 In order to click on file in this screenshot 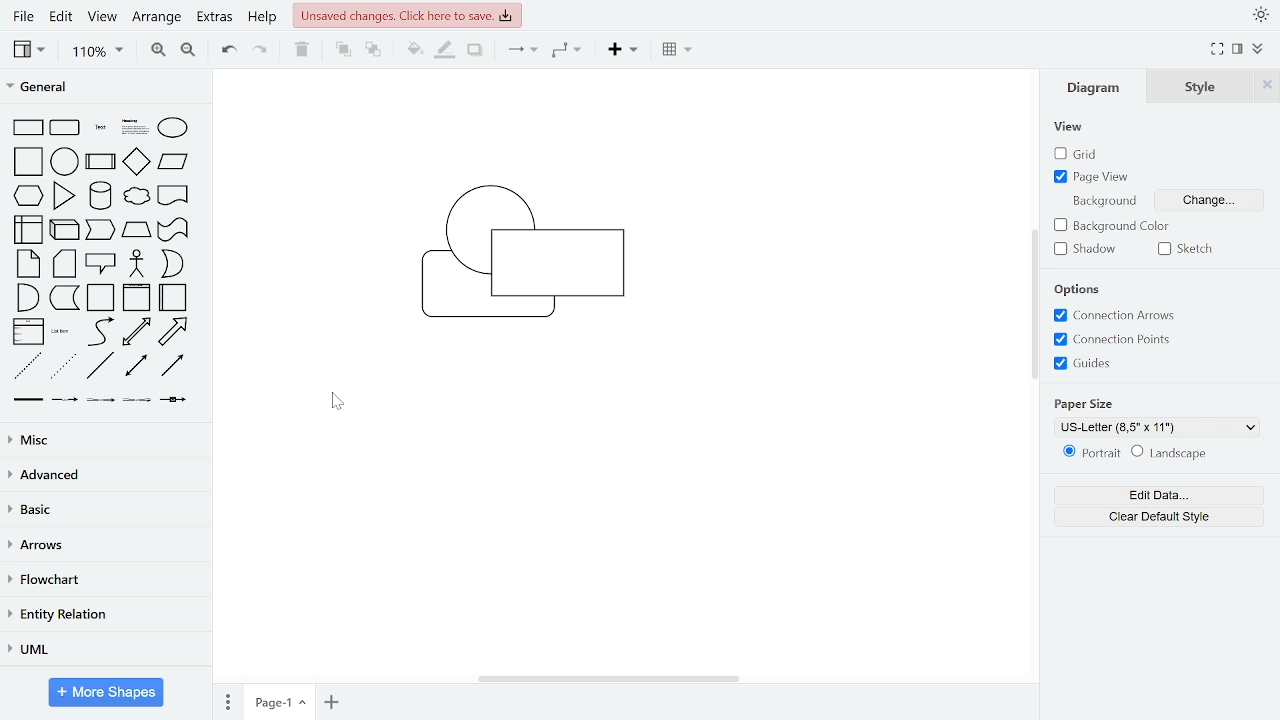, I will do `click(22, 16)`.